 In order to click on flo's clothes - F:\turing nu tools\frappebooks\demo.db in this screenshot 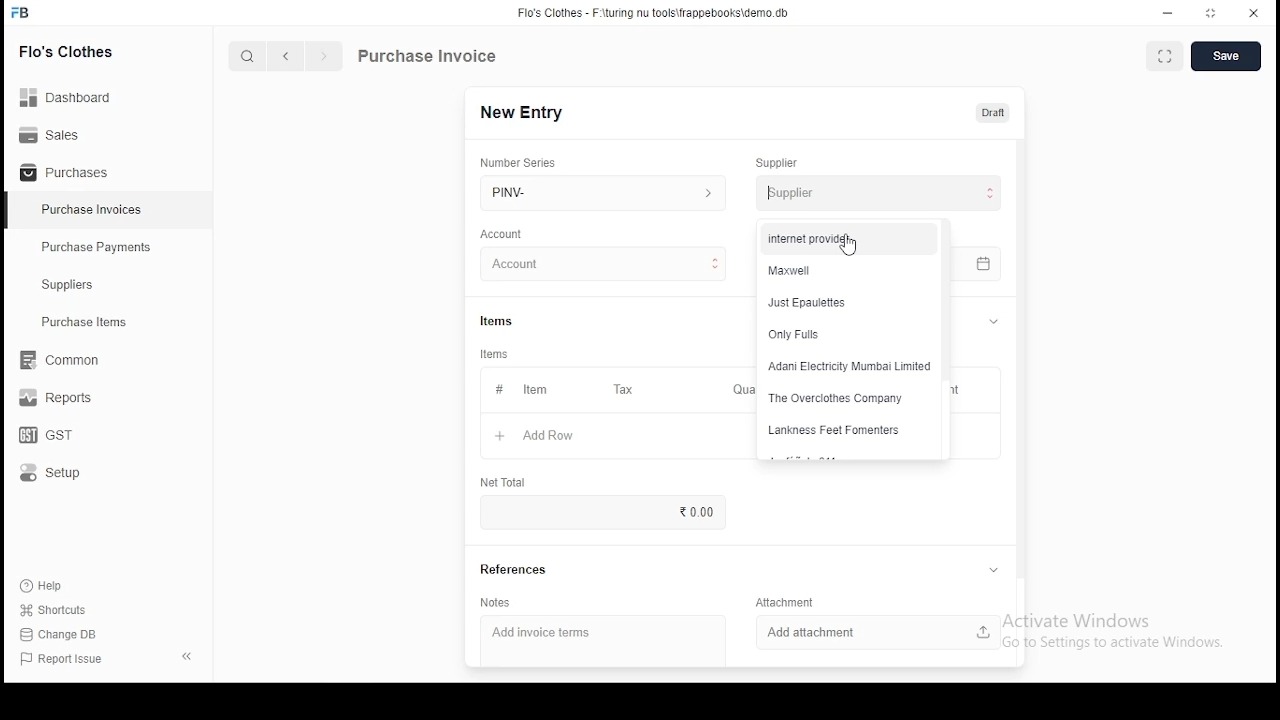, I will do `click(654, 13)`.